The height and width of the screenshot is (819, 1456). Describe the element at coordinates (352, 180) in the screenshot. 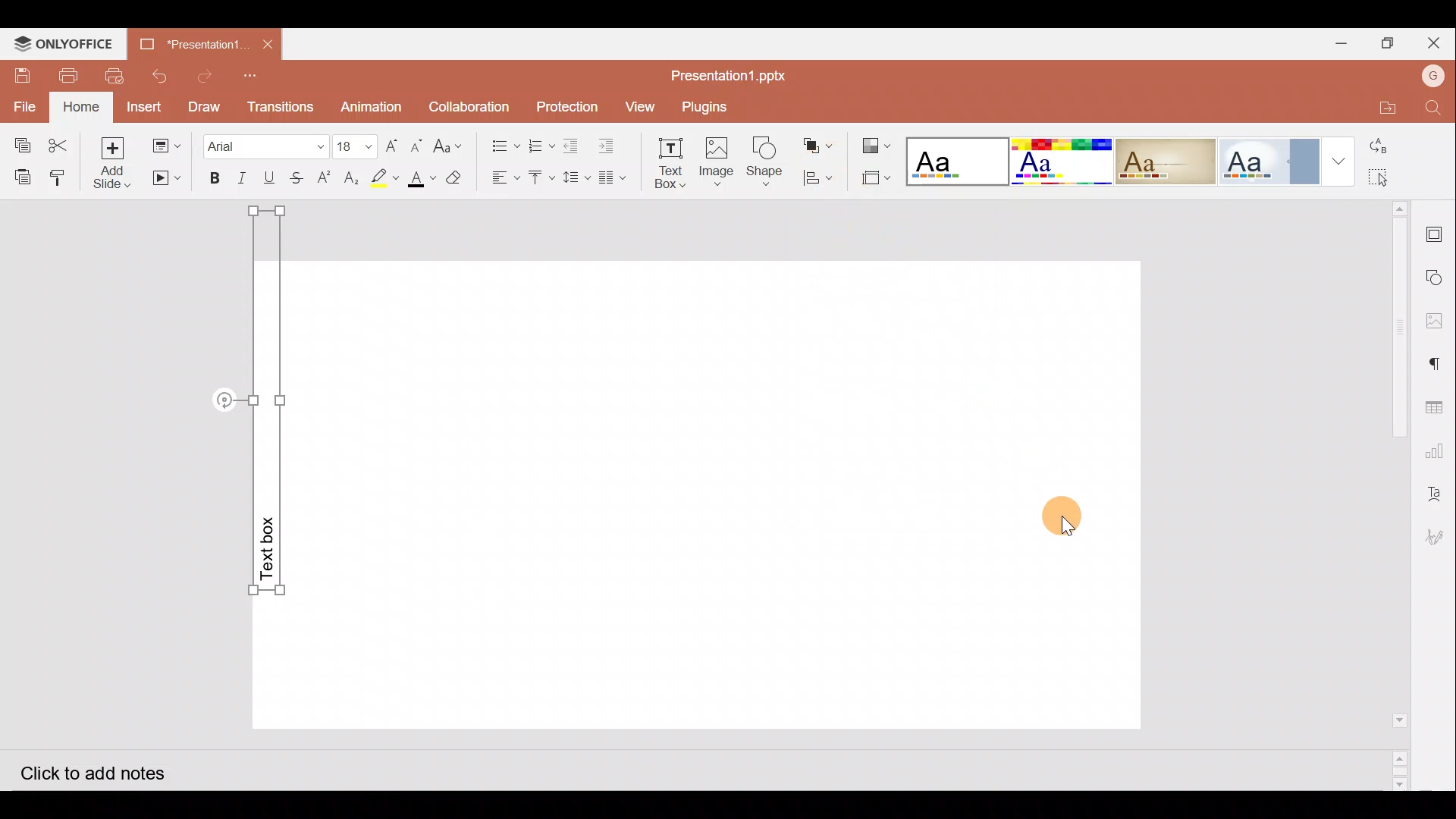

I see `Subscript` at that location.